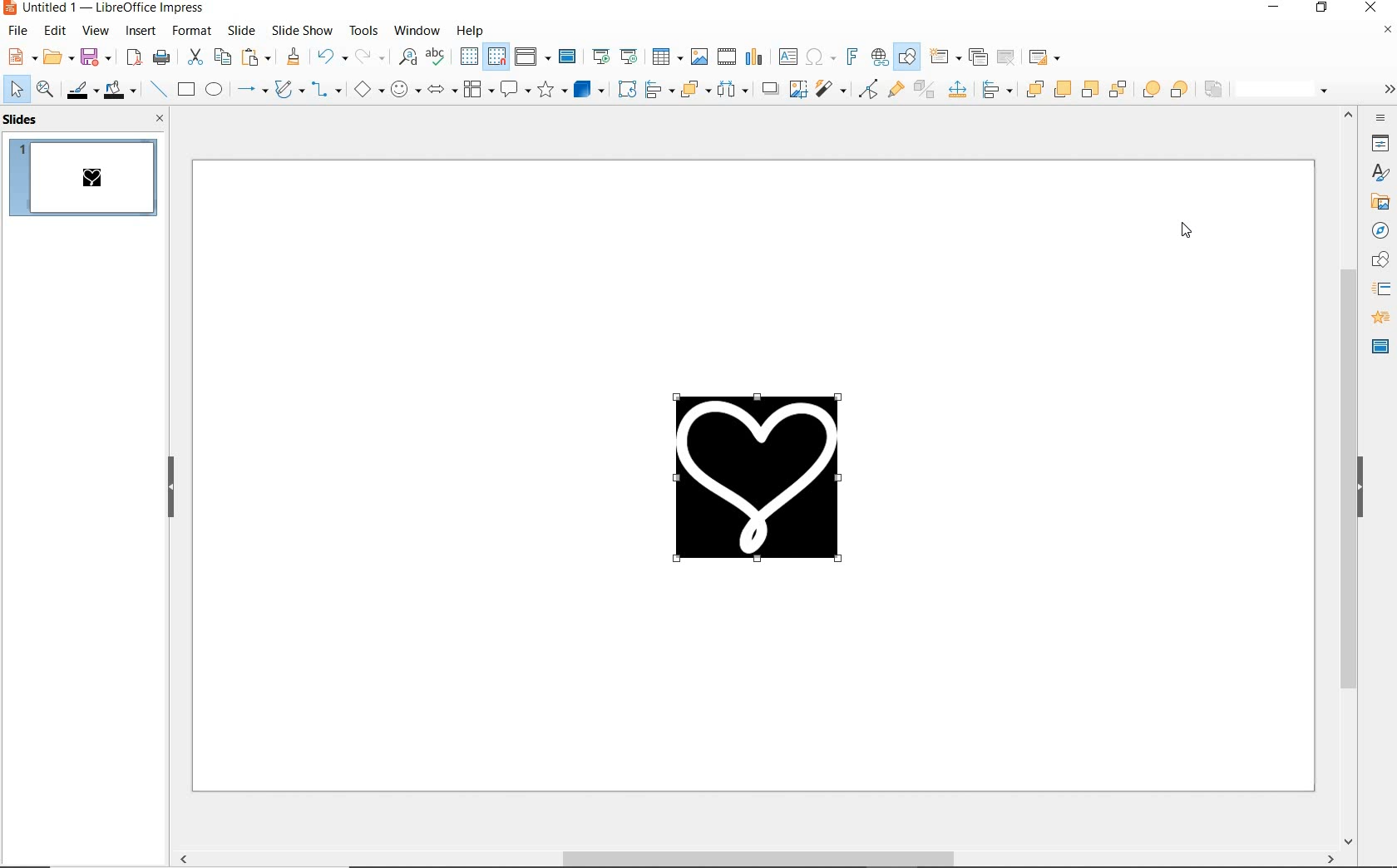 This screenshot has width=1397, height=868. I want to click on stars and banners, so click(550, 89).